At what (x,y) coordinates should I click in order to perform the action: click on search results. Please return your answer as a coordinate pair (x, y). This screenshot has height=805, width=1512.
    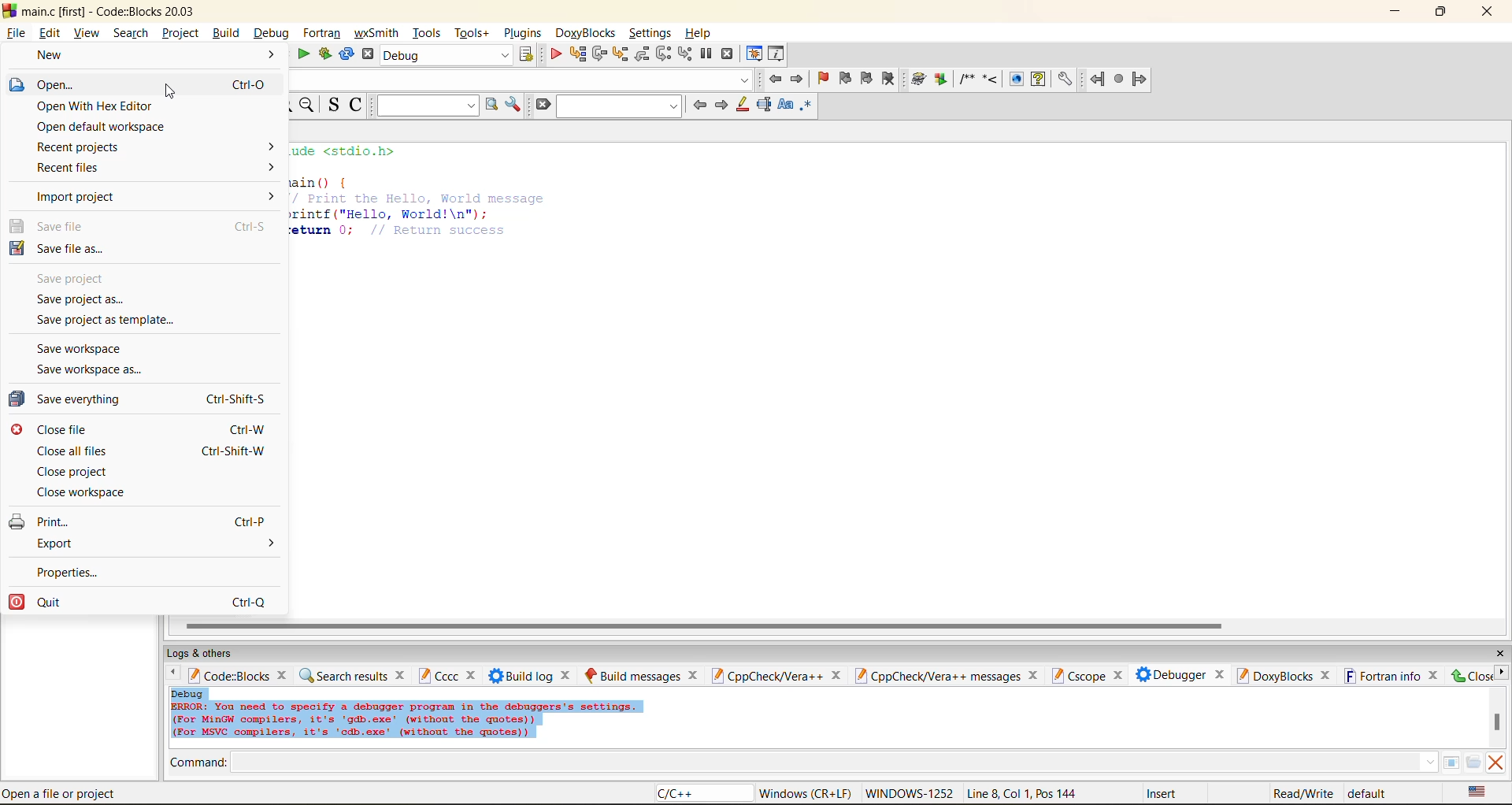
    Looking at the image, I should click on (343, 675).